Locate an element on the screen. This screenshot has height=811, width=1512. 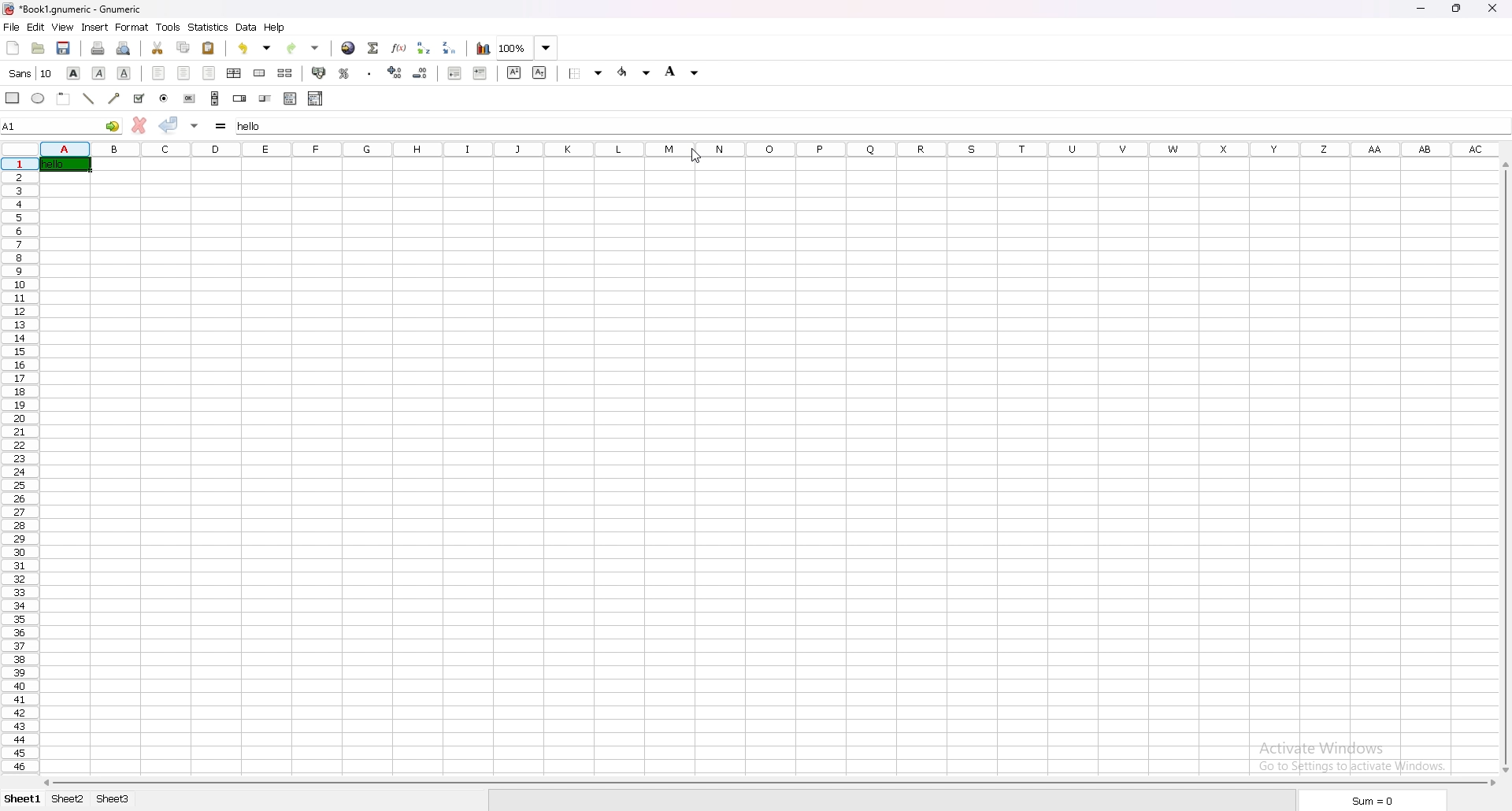
save is located at coordinates (64, 48).